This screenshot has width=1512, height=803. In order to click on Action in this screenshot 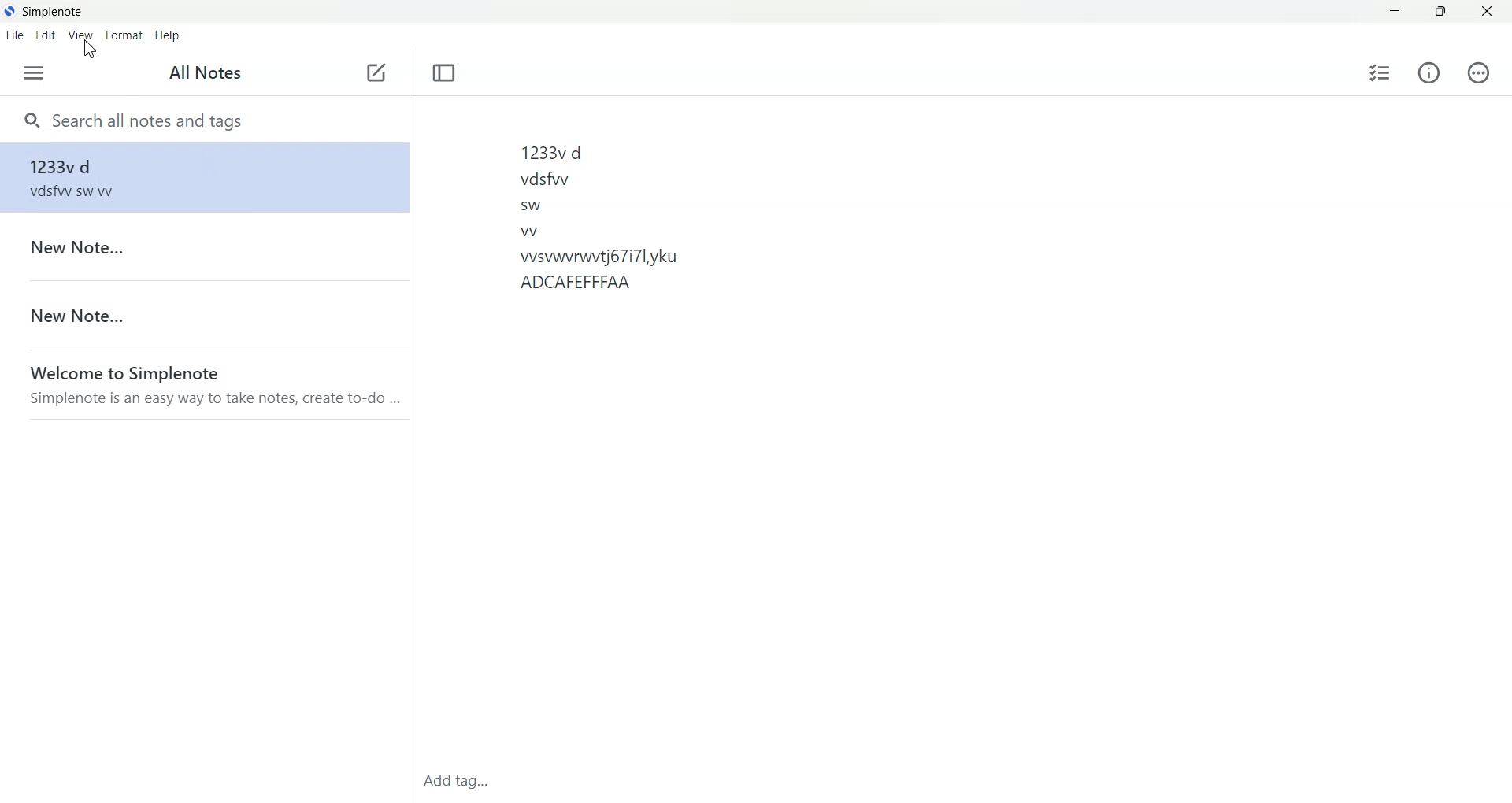, I will do `click(1479, 72)`.